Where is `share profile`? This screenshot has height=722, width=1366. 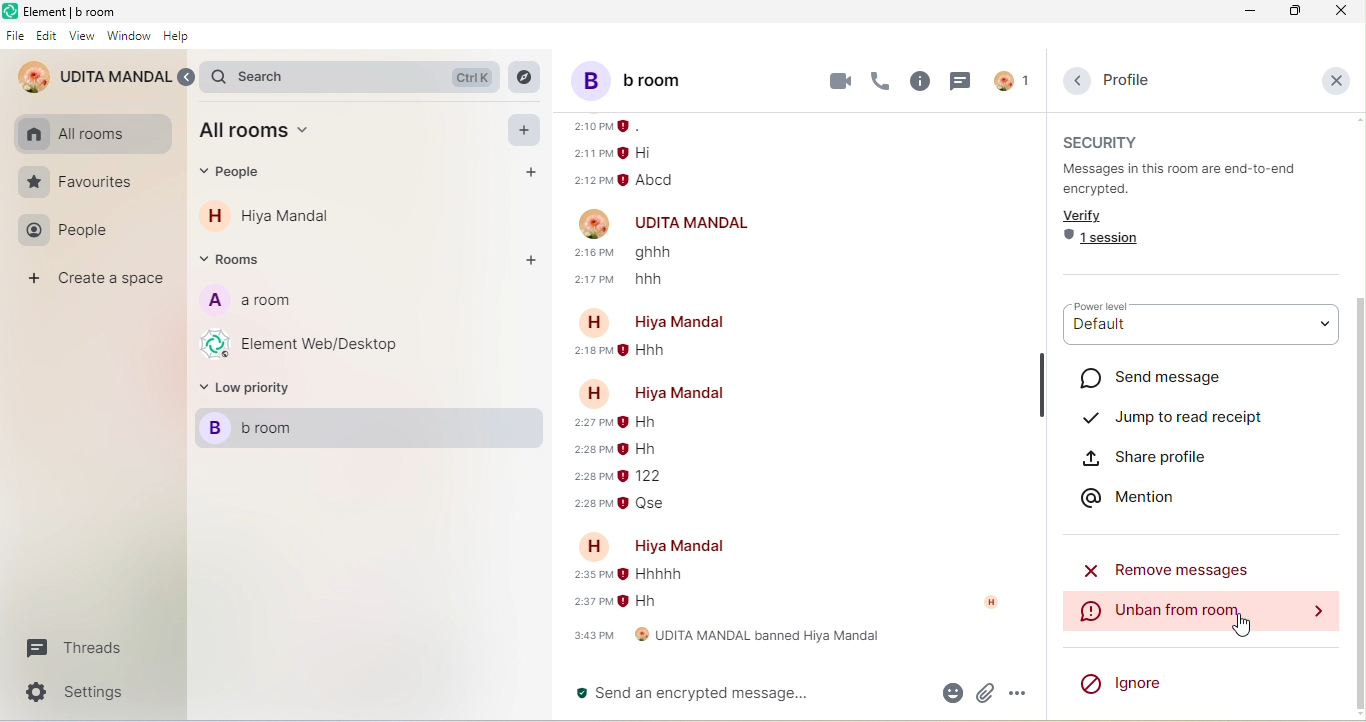 share profile is located at coordinates (1169, 456).